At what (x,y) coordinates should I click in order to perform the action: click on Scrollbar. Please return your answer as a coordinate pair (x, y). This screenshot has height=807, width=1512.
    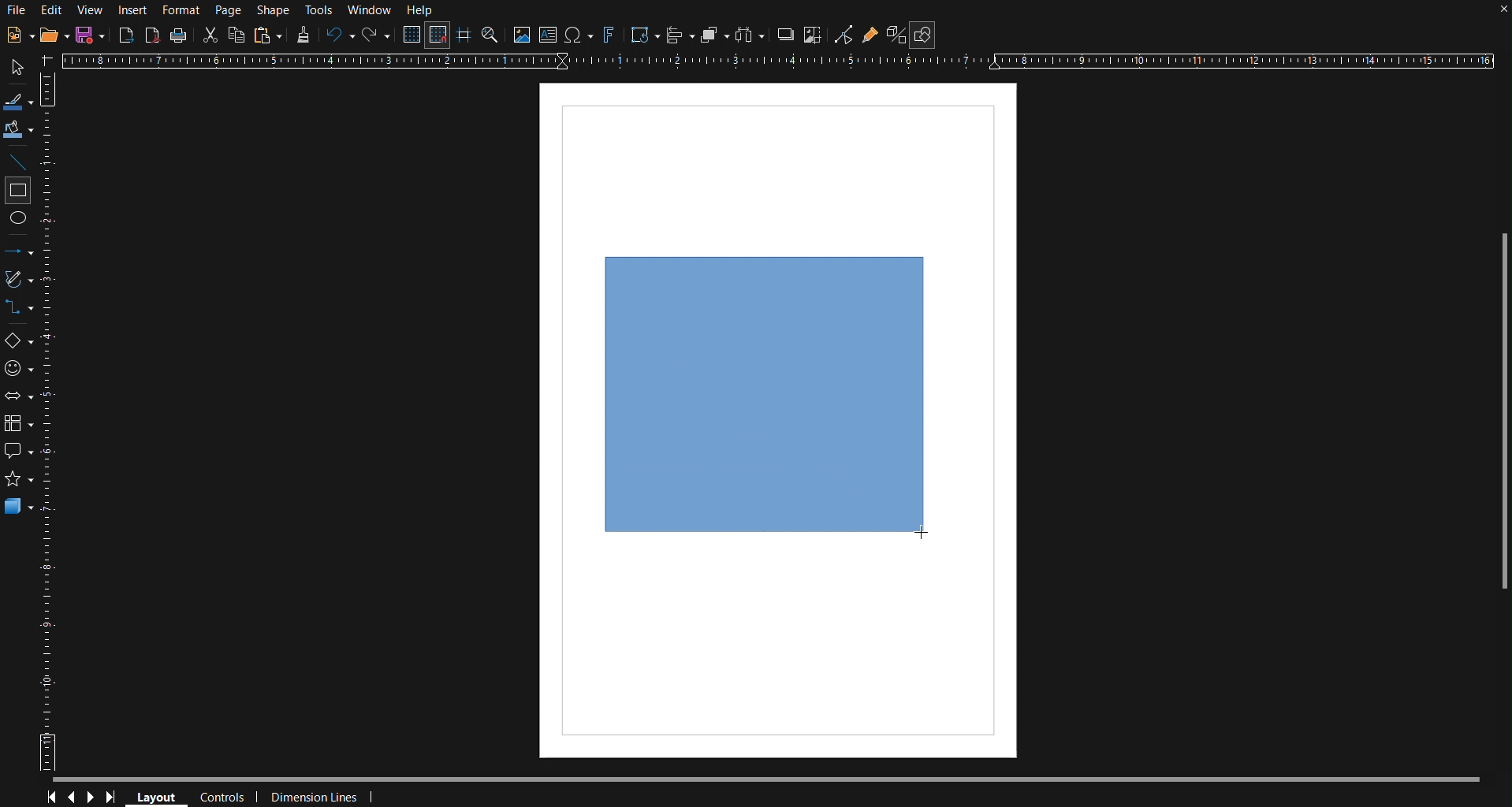
    Looking at the image, I should click on (1503, 419).